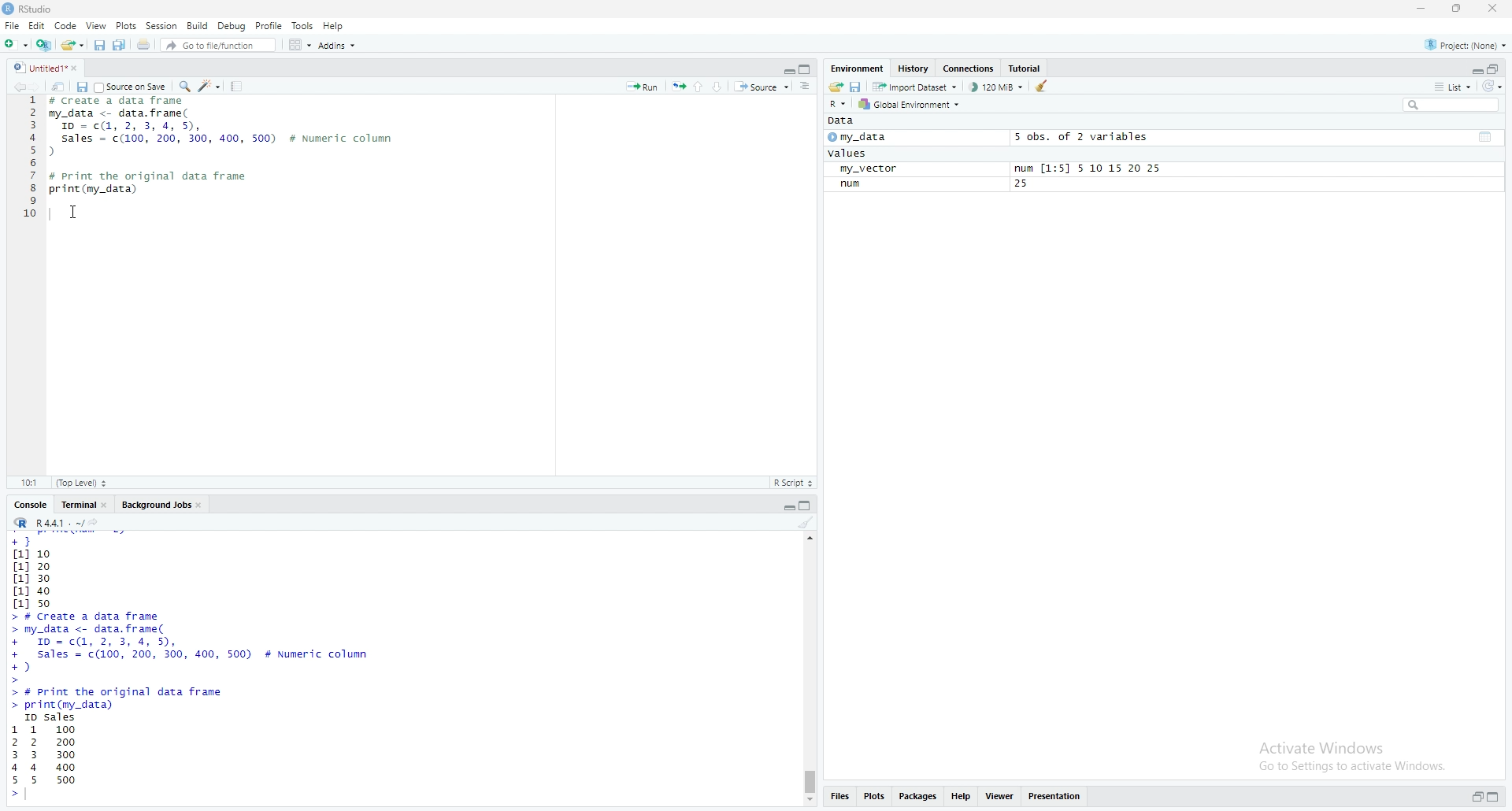 This screenshot has height=811, width=1512. What do you see at coordinates (132, 698) in the screenshot?
I see `print data frame function` at bounding box center [132, 698].